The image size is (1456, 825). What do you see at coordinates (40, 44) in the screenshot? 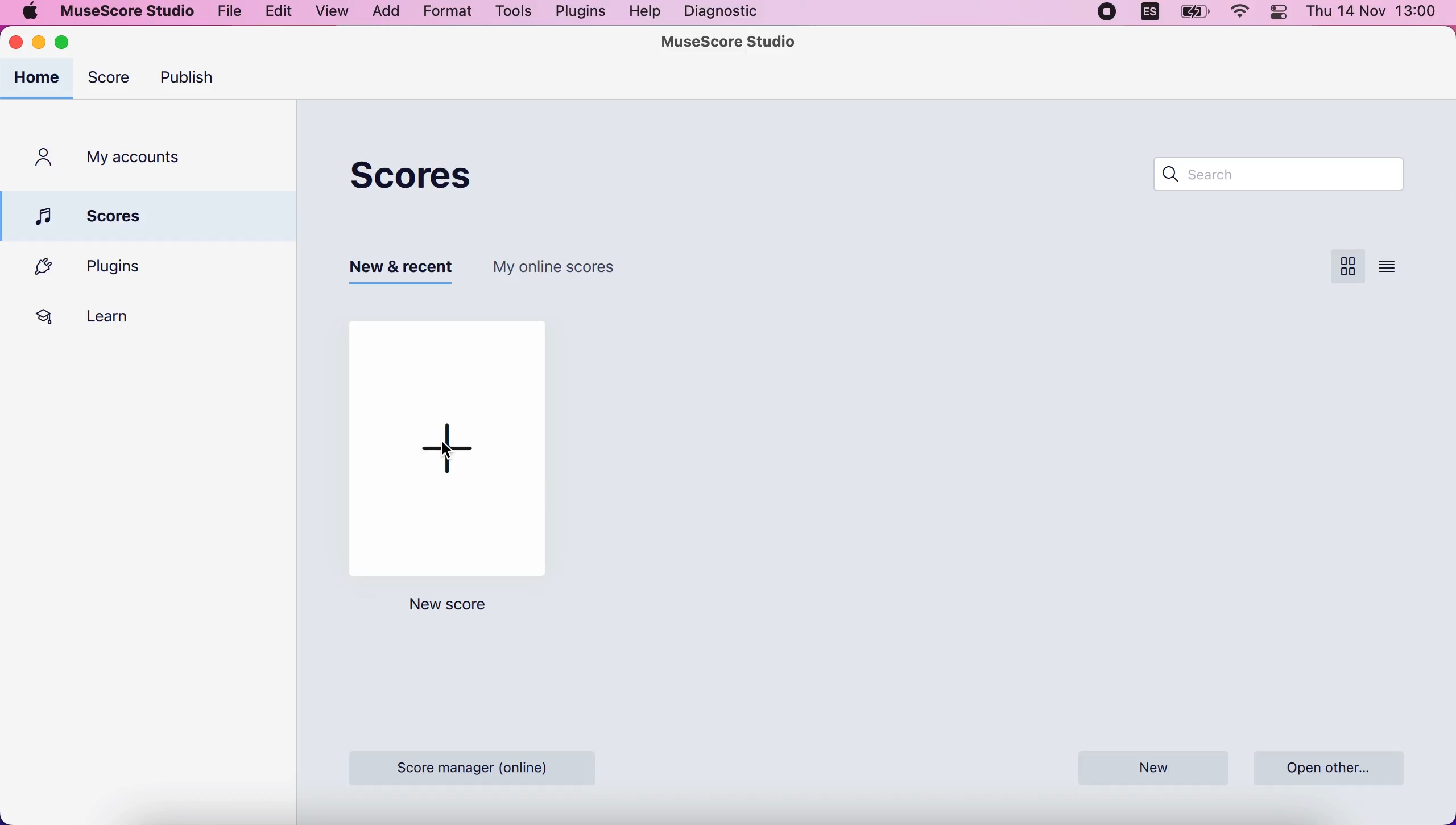
I see `minimize` at bounding box center [40, 44].